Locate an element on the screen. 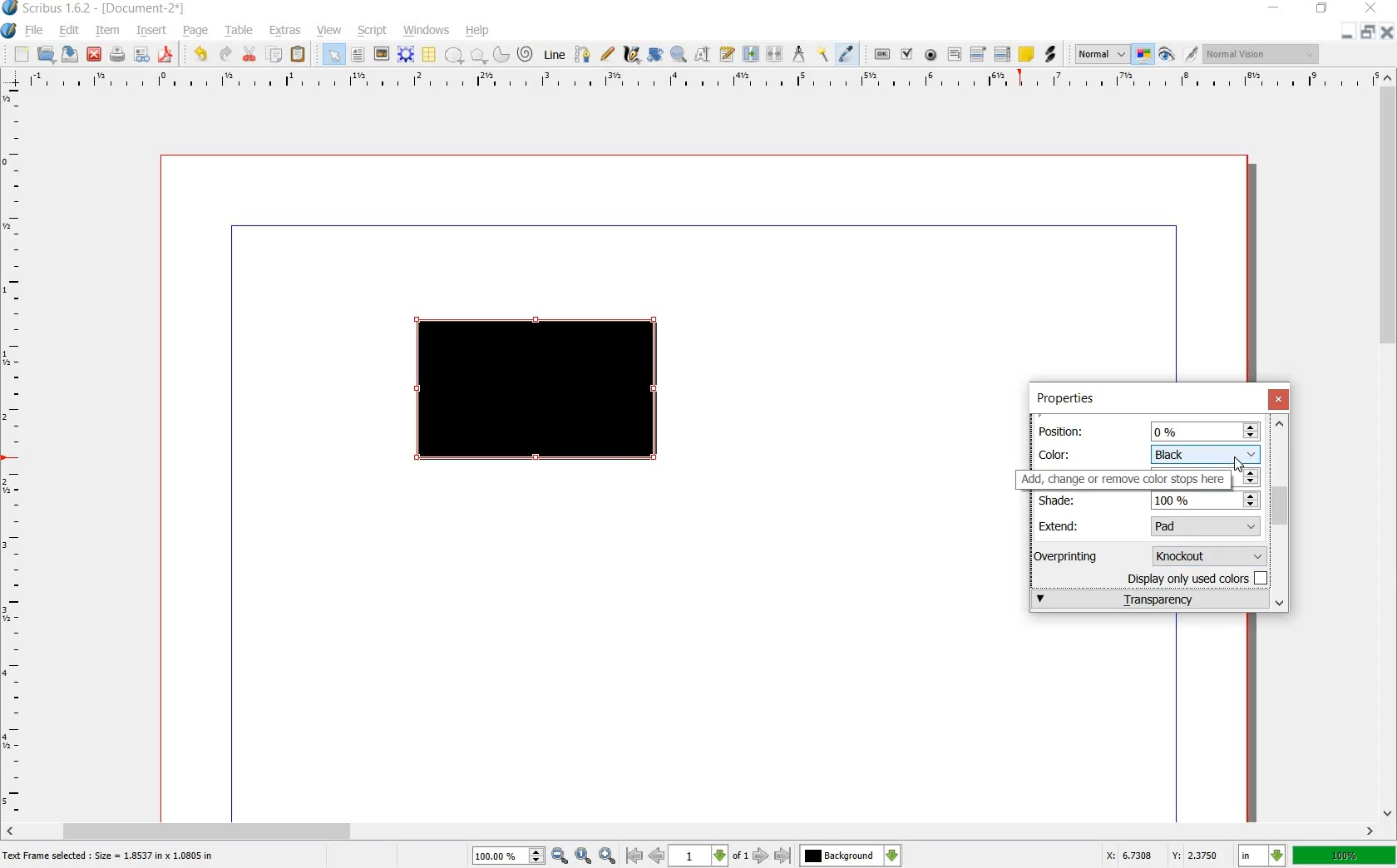 This screenshot has width=1397, height=868. Increase or decrease zoom value is located at coordinates (537, 856).